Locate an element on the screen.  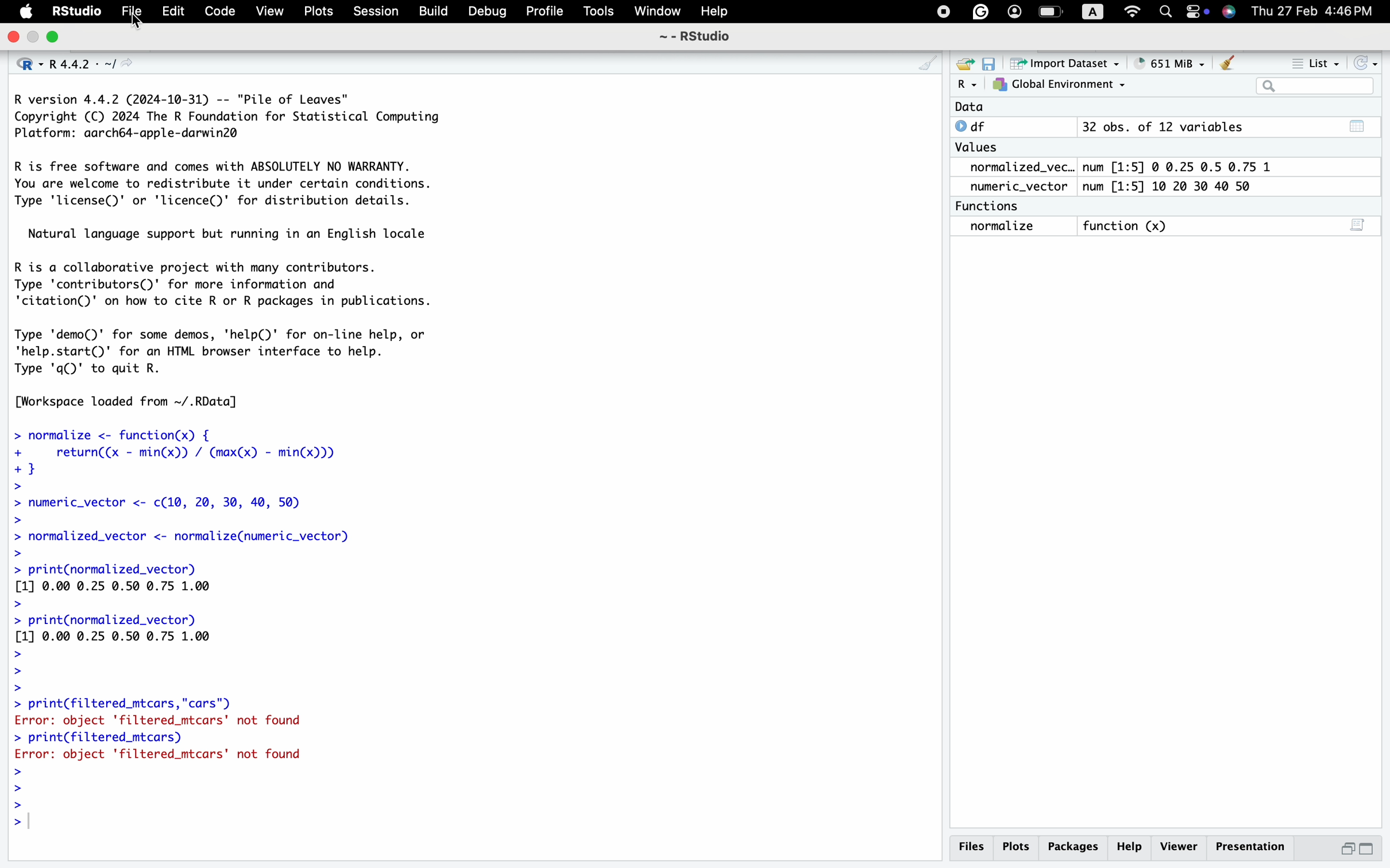
battery is located at coordinates (1052, 13).